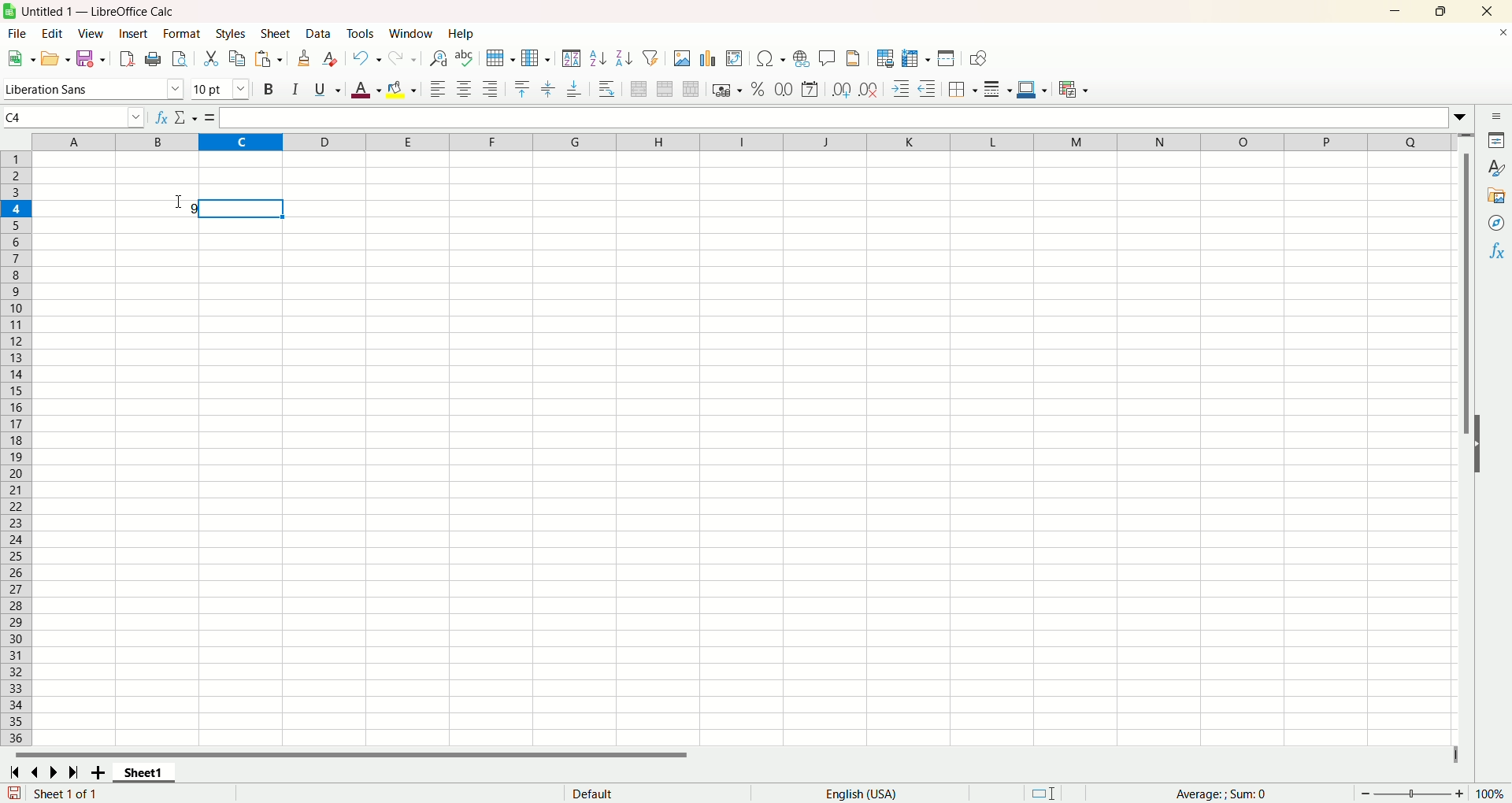 The width and height of the screenshot is (1512, 803). What do you see at coordinates (1499, 250) in the screenshot?
I see `functions` at bounding box center [1499, 250].